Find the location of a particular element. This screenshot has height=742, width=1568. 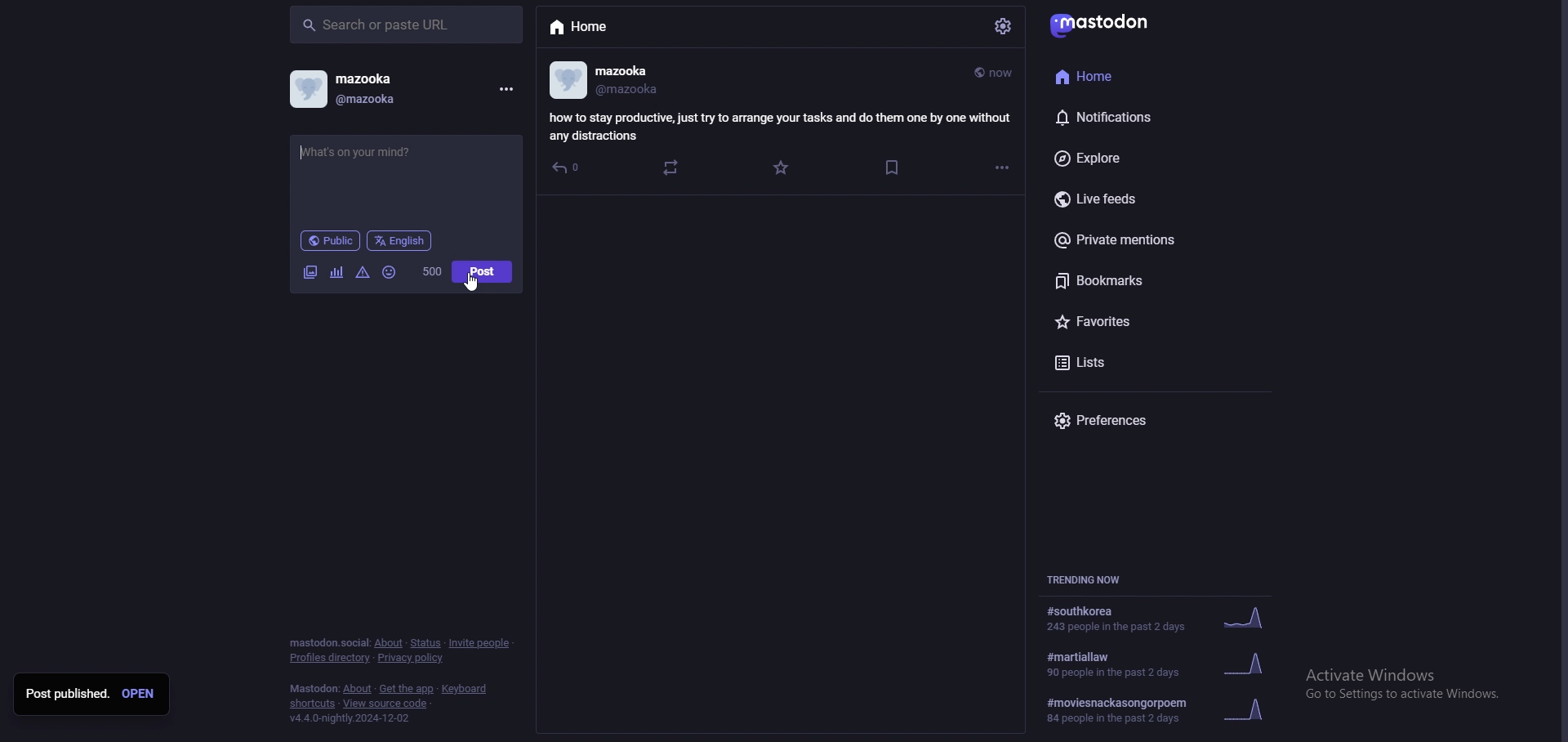

save is located at coordinates (893, 168).